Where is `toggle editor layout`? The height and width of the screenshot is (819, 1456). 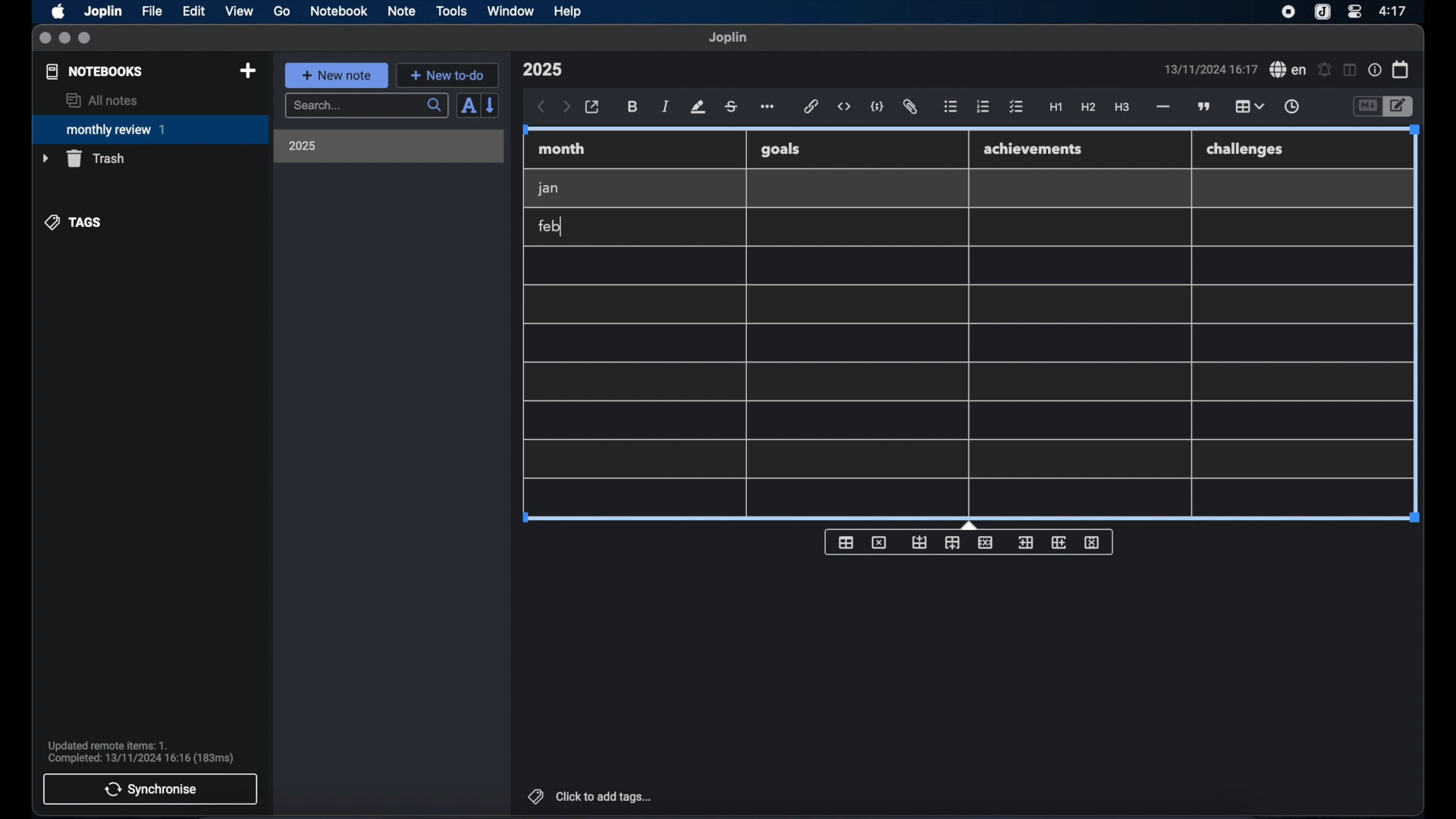
toggle editor layout is located at coordinates (1351, 70).